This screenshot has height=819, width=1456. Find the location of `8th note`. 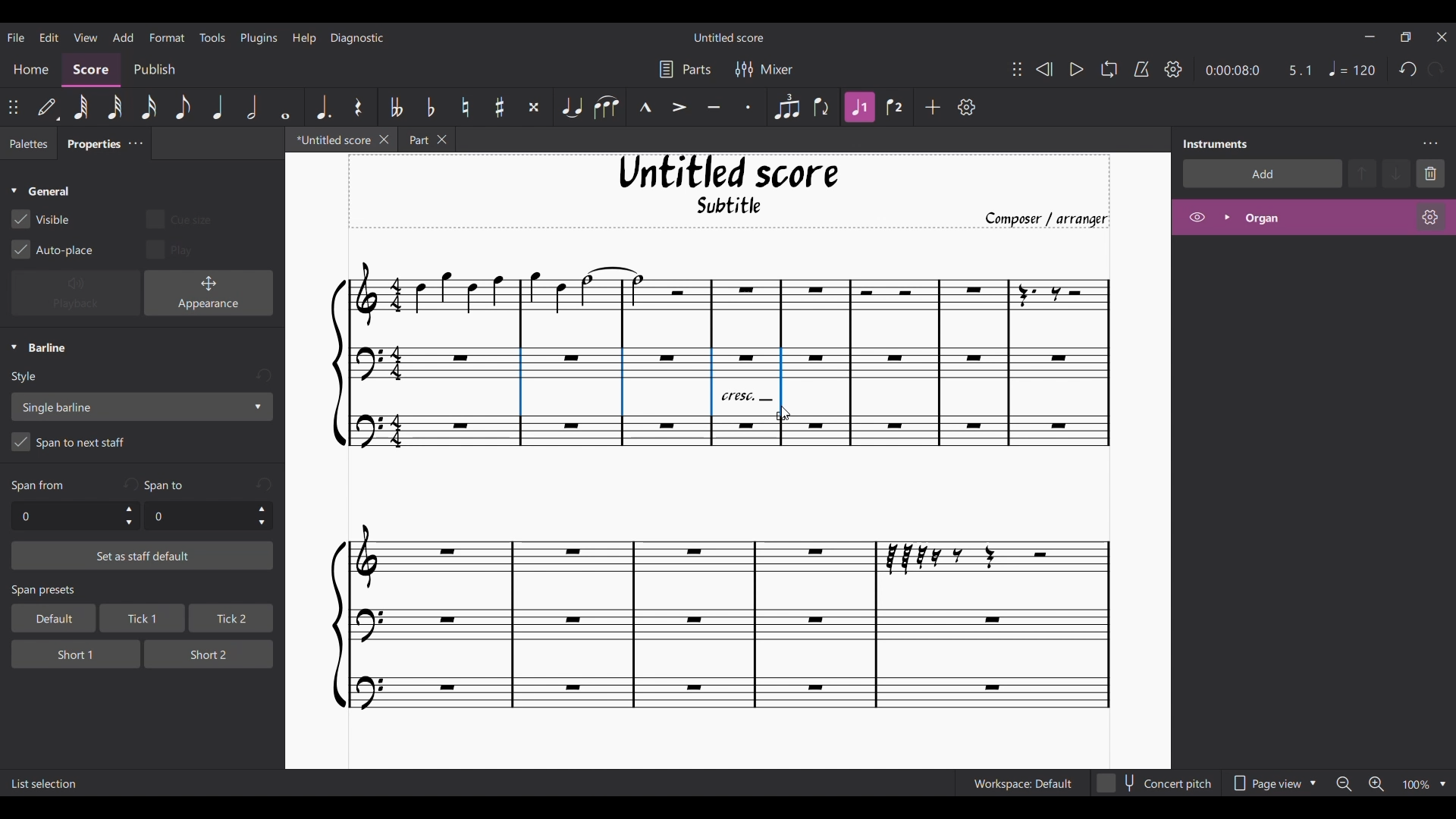

8th note is located at coordinates (181, 108).